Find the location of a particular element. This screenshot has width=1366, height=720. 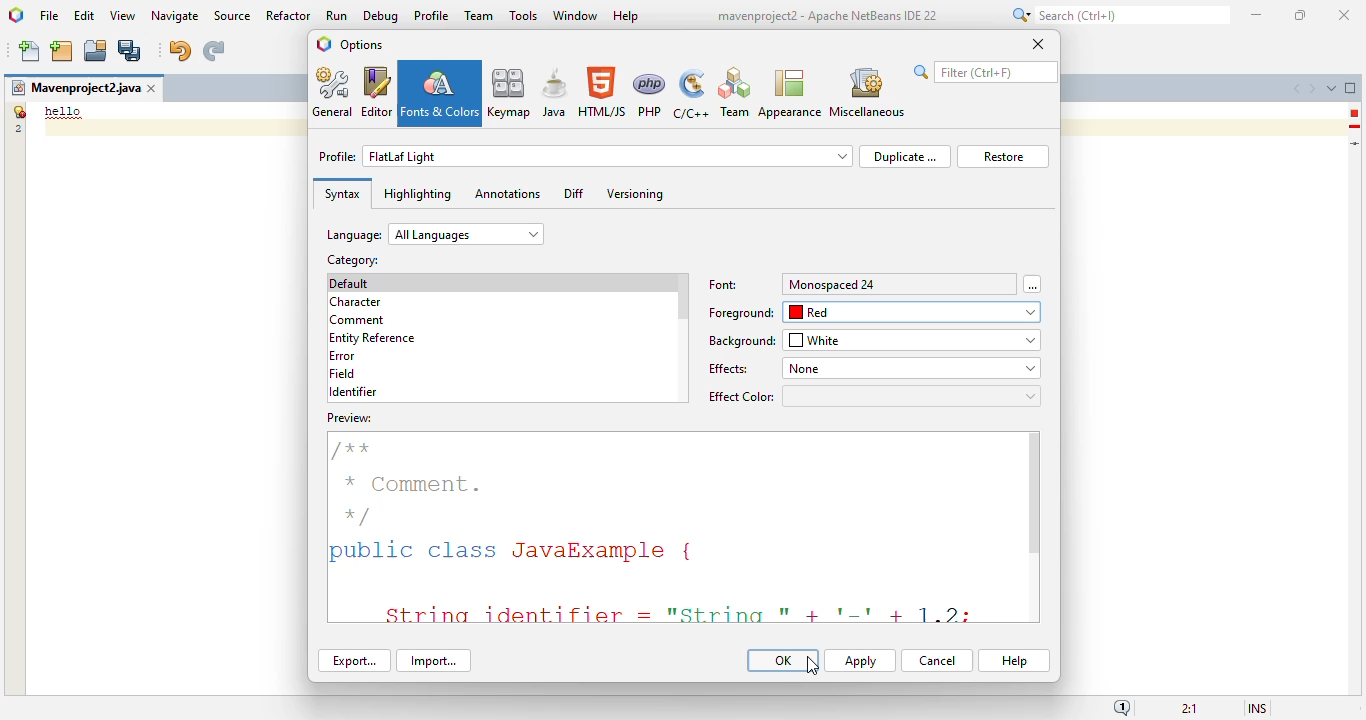

team is located at coordinates (479, 15).